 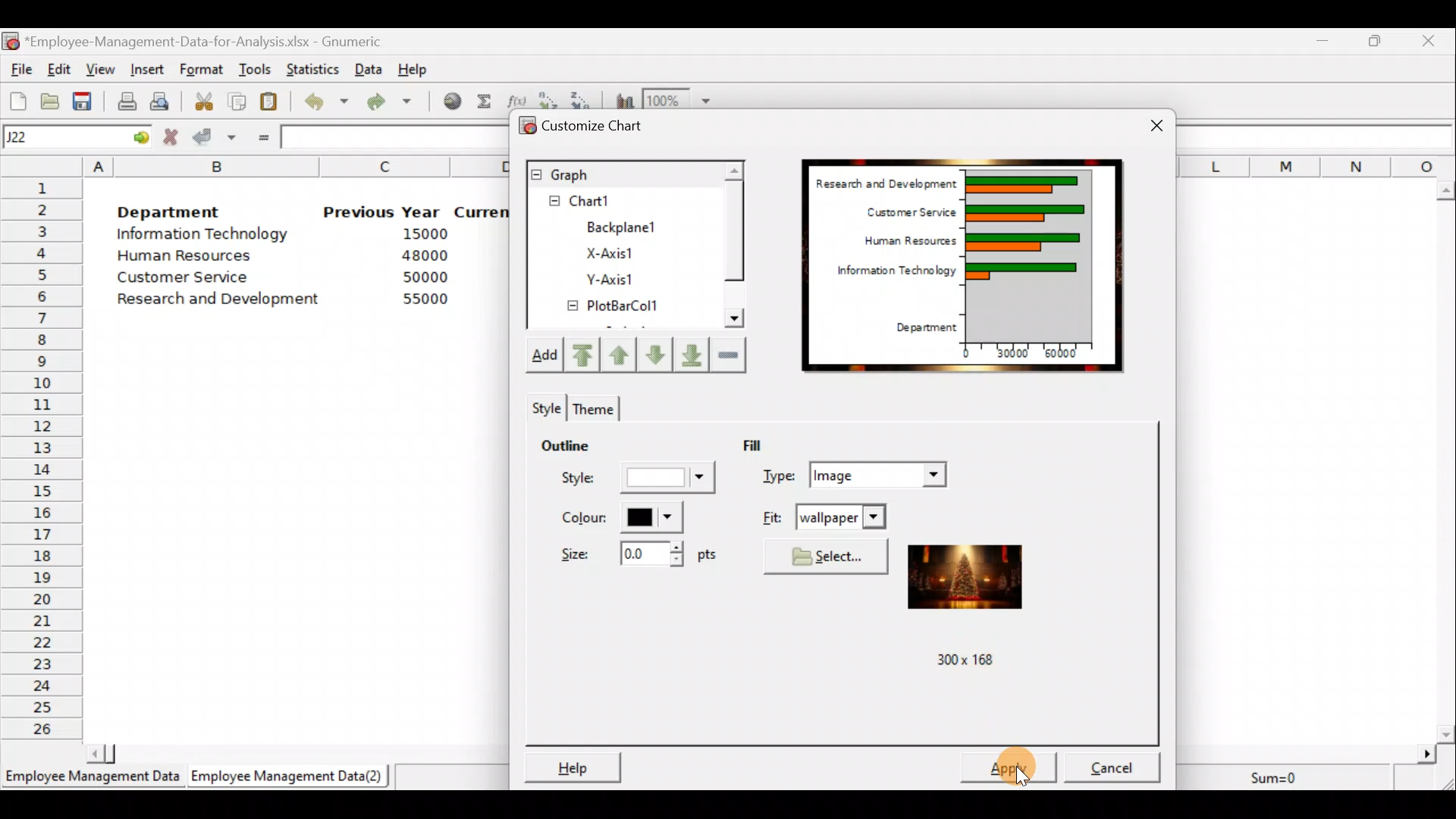 I want to click on Close, so click(x=1147, y=121).